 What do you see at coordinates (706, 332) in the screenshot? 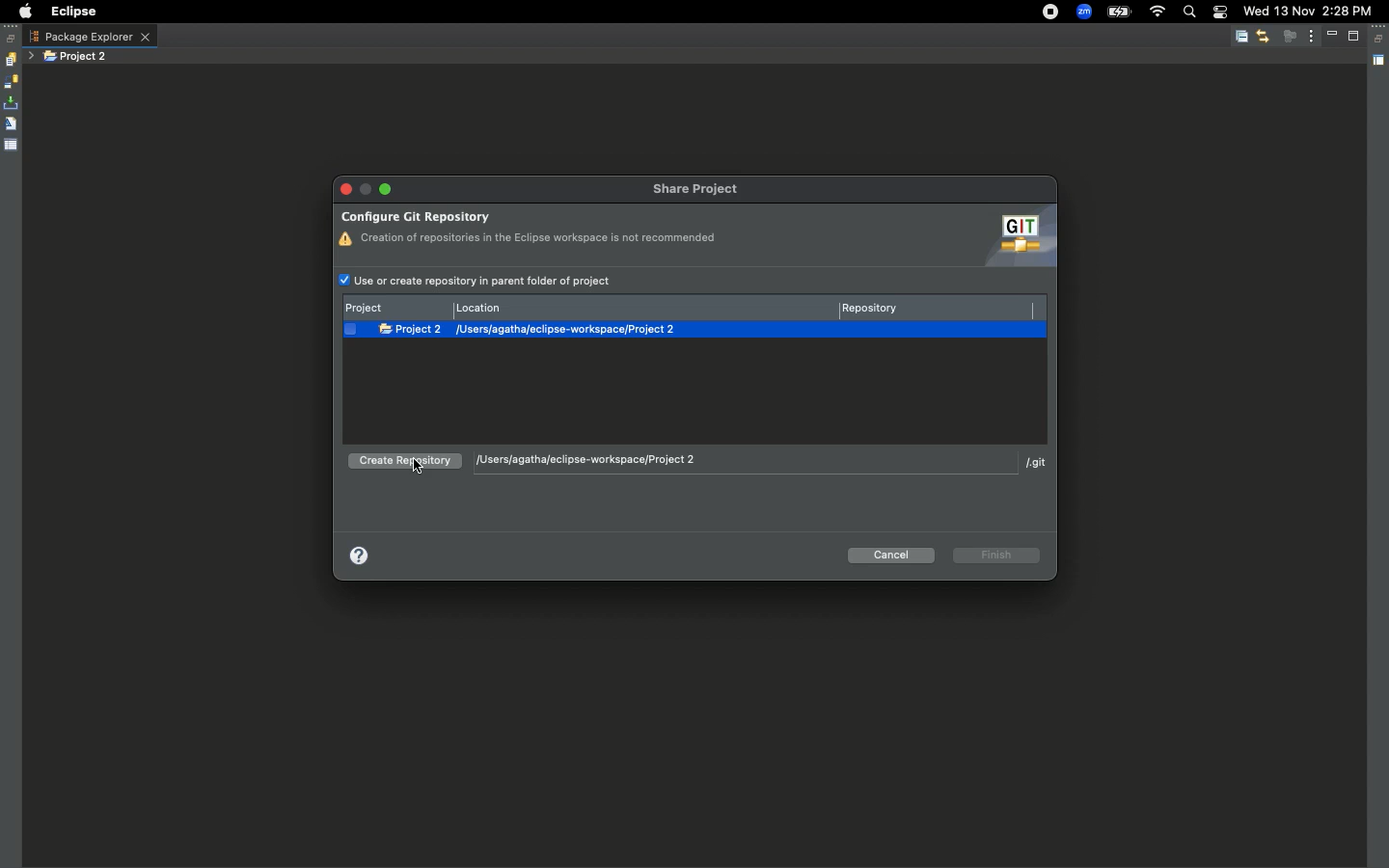
I see `Project 2 /Users/agatha/eclipse-workspace/Project 2` at bounding box center [706, 332].